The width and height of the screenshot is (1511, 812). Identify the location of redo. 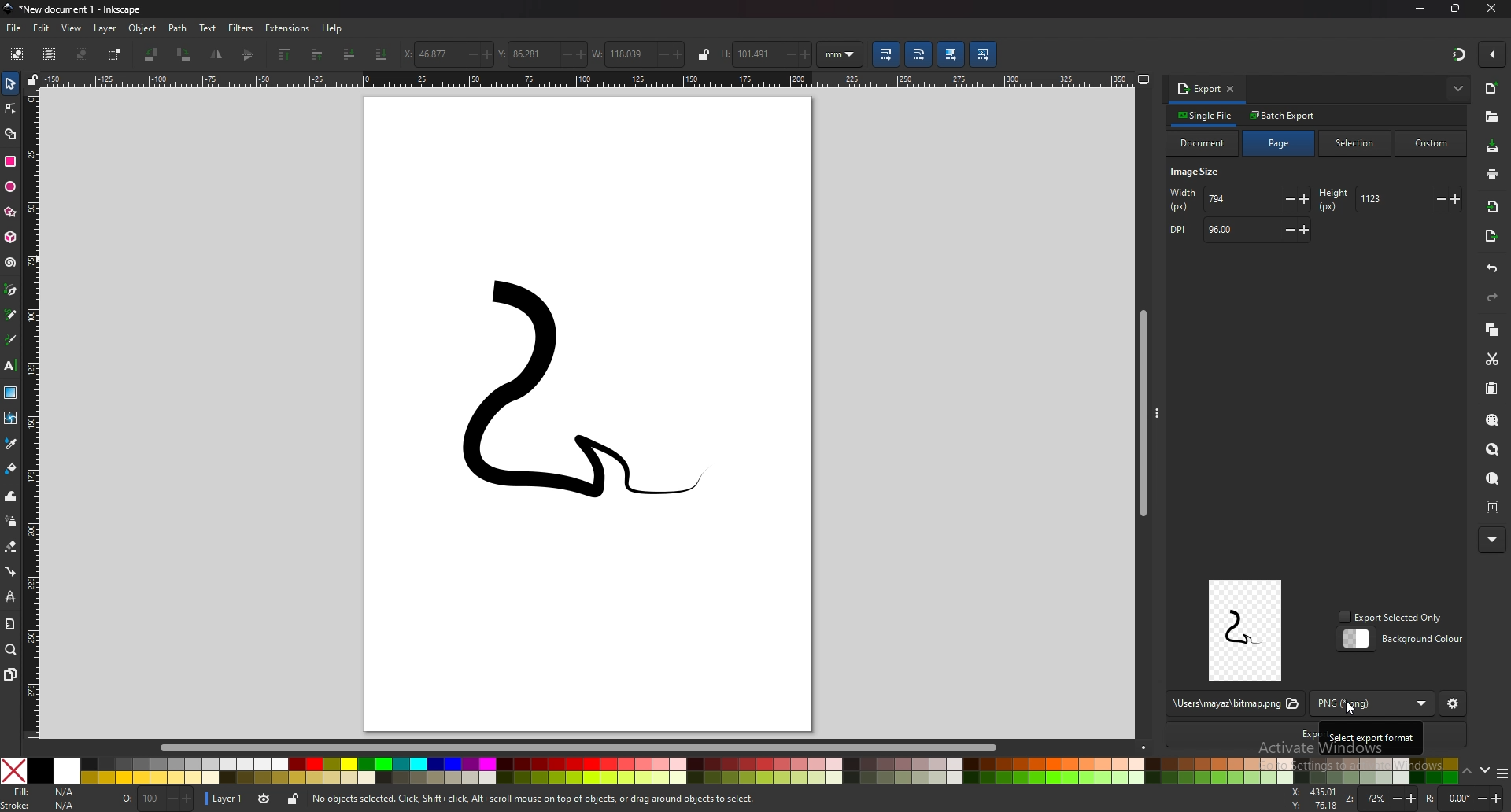
(1494, 297).